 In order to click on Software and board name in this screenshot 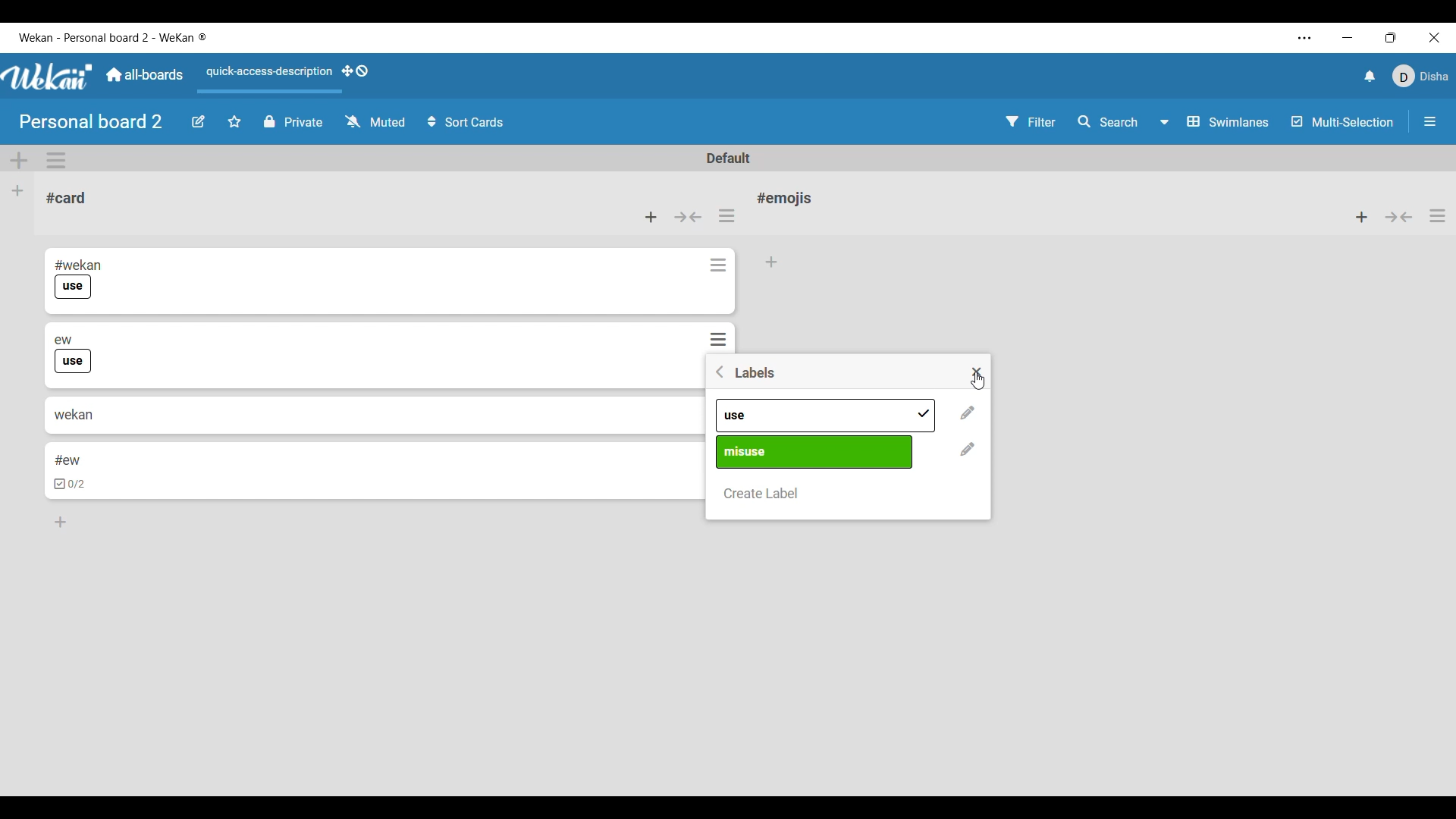, I will do `click(111, 37)`.